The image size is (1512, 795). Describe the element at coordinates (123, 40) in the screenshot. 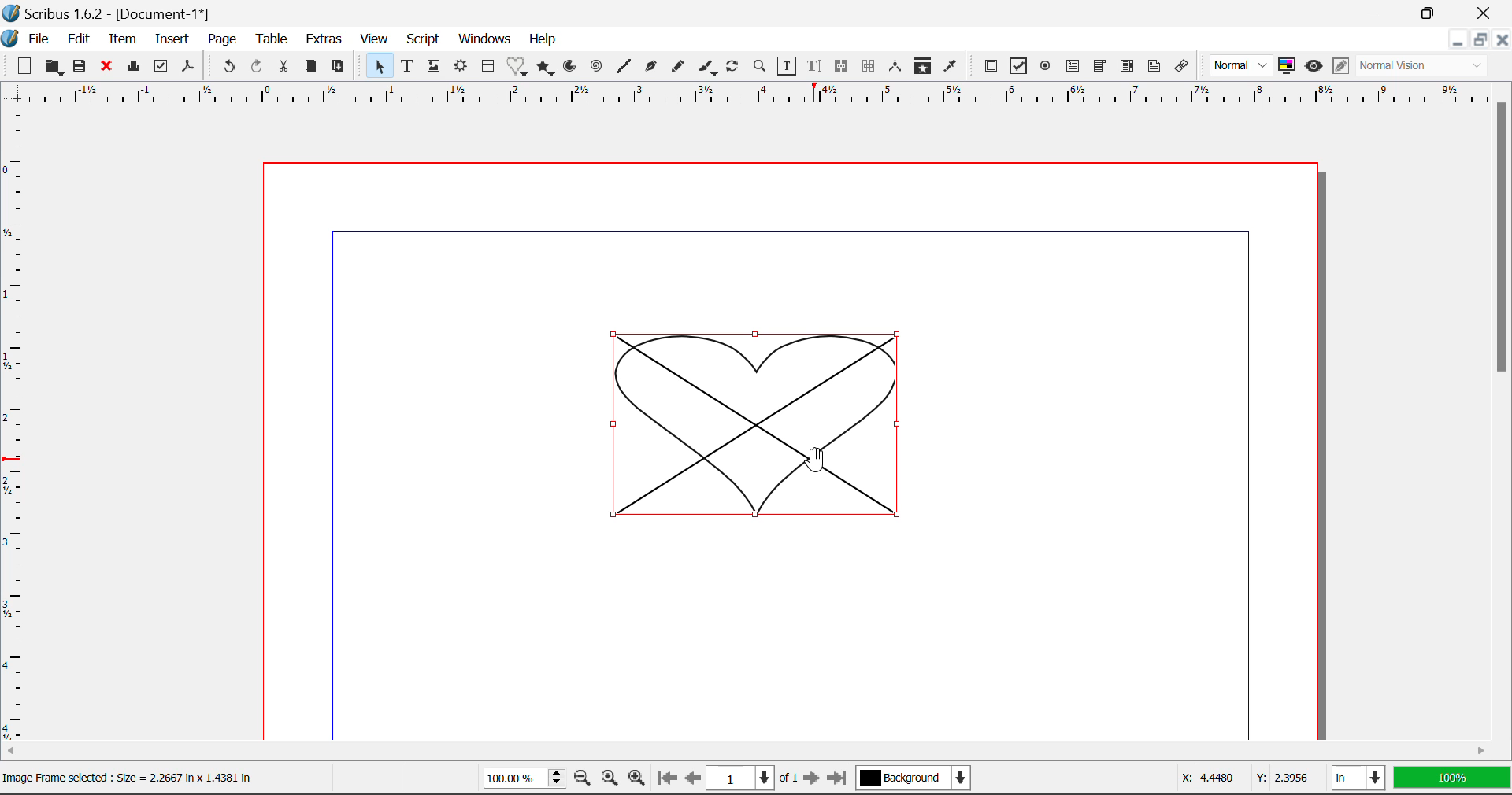

I see `Item` at that location.